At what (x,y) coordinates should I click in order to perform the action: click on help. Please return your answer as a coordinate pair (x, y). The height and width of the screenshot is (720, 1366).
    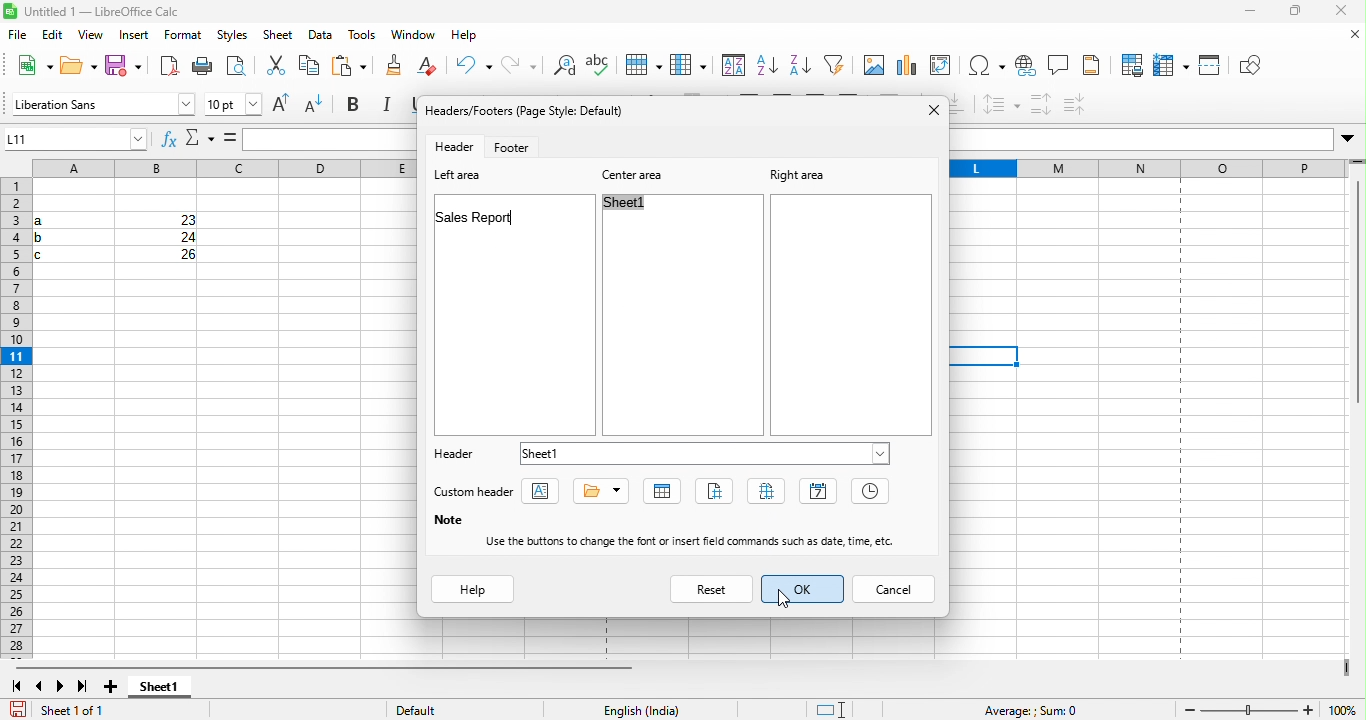
    Looking at the image, I should click on (461, 37).